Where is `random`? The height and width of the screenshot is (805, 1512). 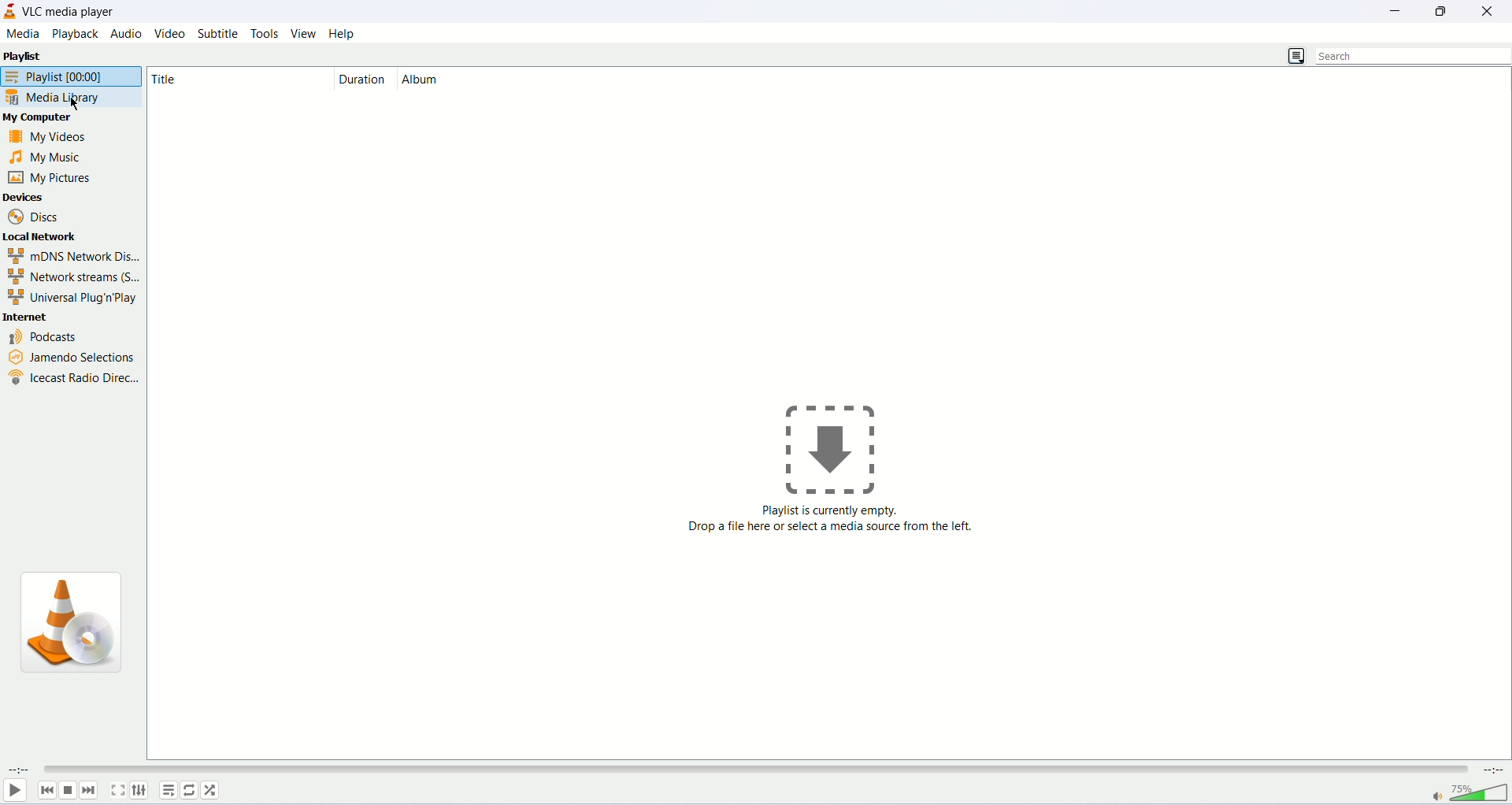 random is located at coordinates (209, 790).